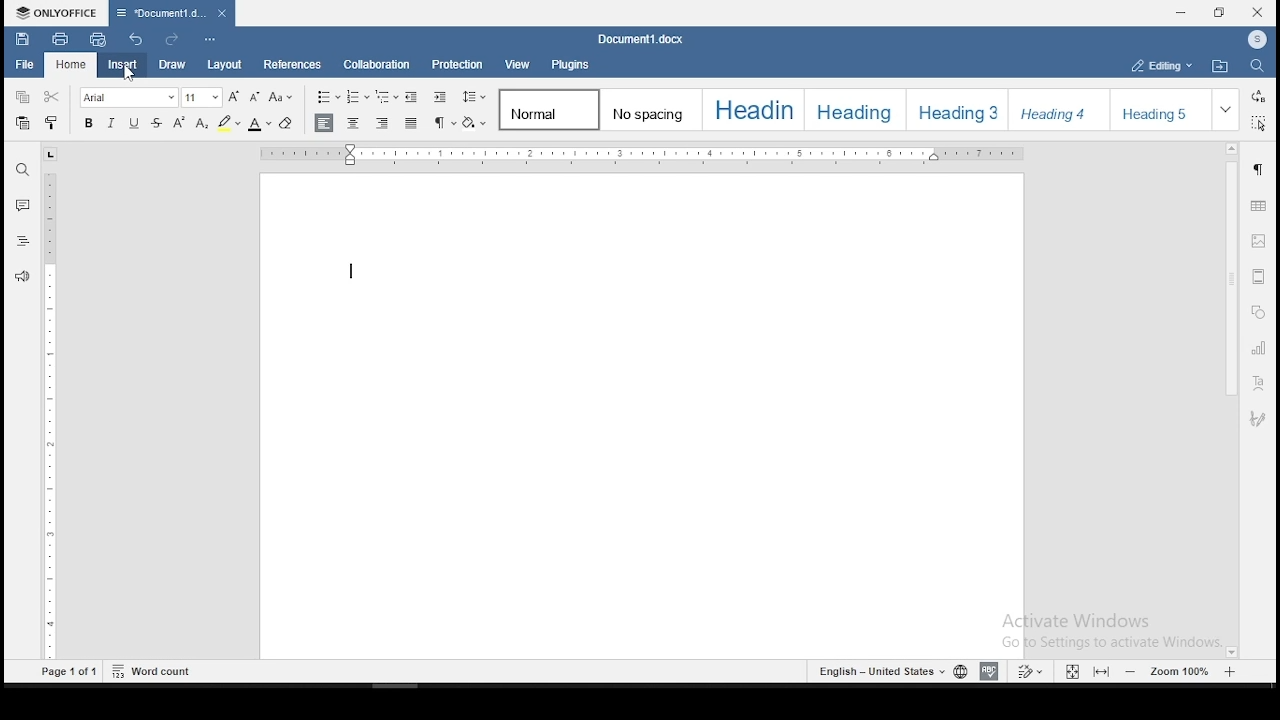 The height and width of the screenshot is (720, 1280). What do you see at coordinates (1229, 400) in the screenshot?
I see `scrollbar` at bounding box center [1229, 400].